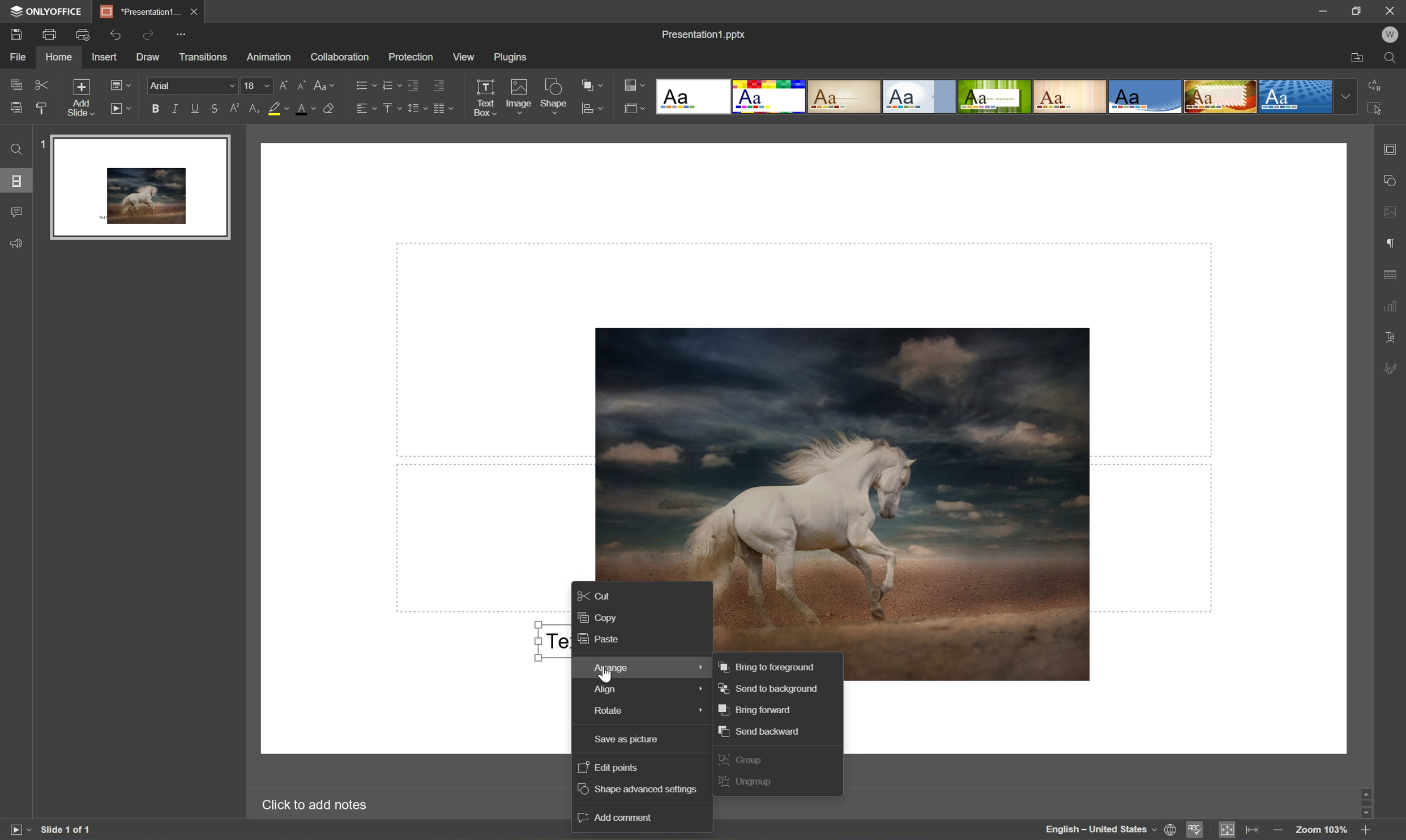 This screenshot has height=840, width=1406. I want to click on Spell checking, so click(1194, 829).